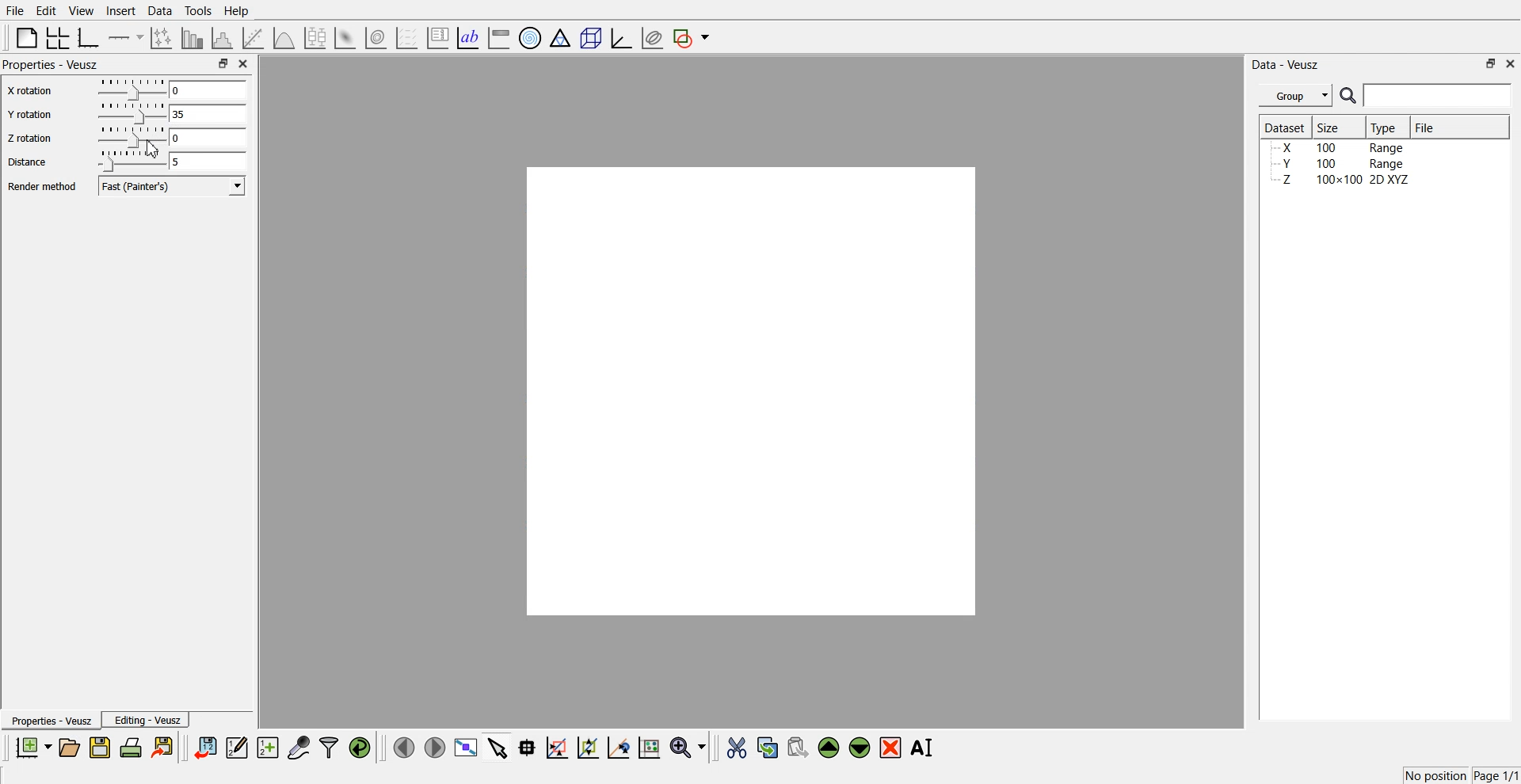 This screenshot has width=1521, height=784. What do you see at coordinates (206, 89) in the screenshot?
I see `0` at bounding box center [206, 89].